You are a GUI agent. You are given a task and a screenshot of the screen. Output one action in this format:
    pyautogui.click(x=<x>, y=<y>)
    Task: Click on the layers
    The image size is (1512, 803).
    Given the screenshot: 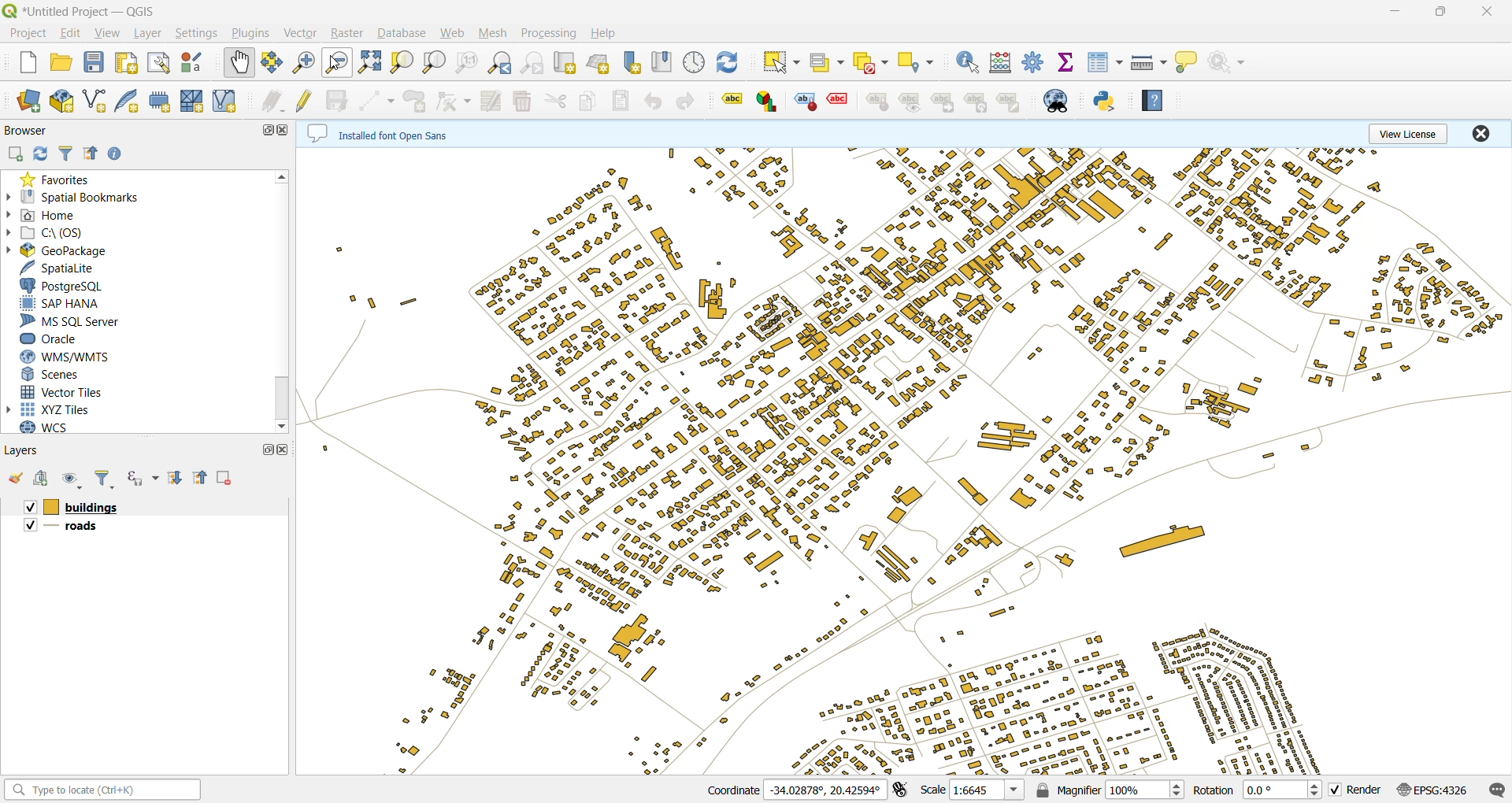 What is the action you would take?
    pyautogui.click(x=28, y=452)
    